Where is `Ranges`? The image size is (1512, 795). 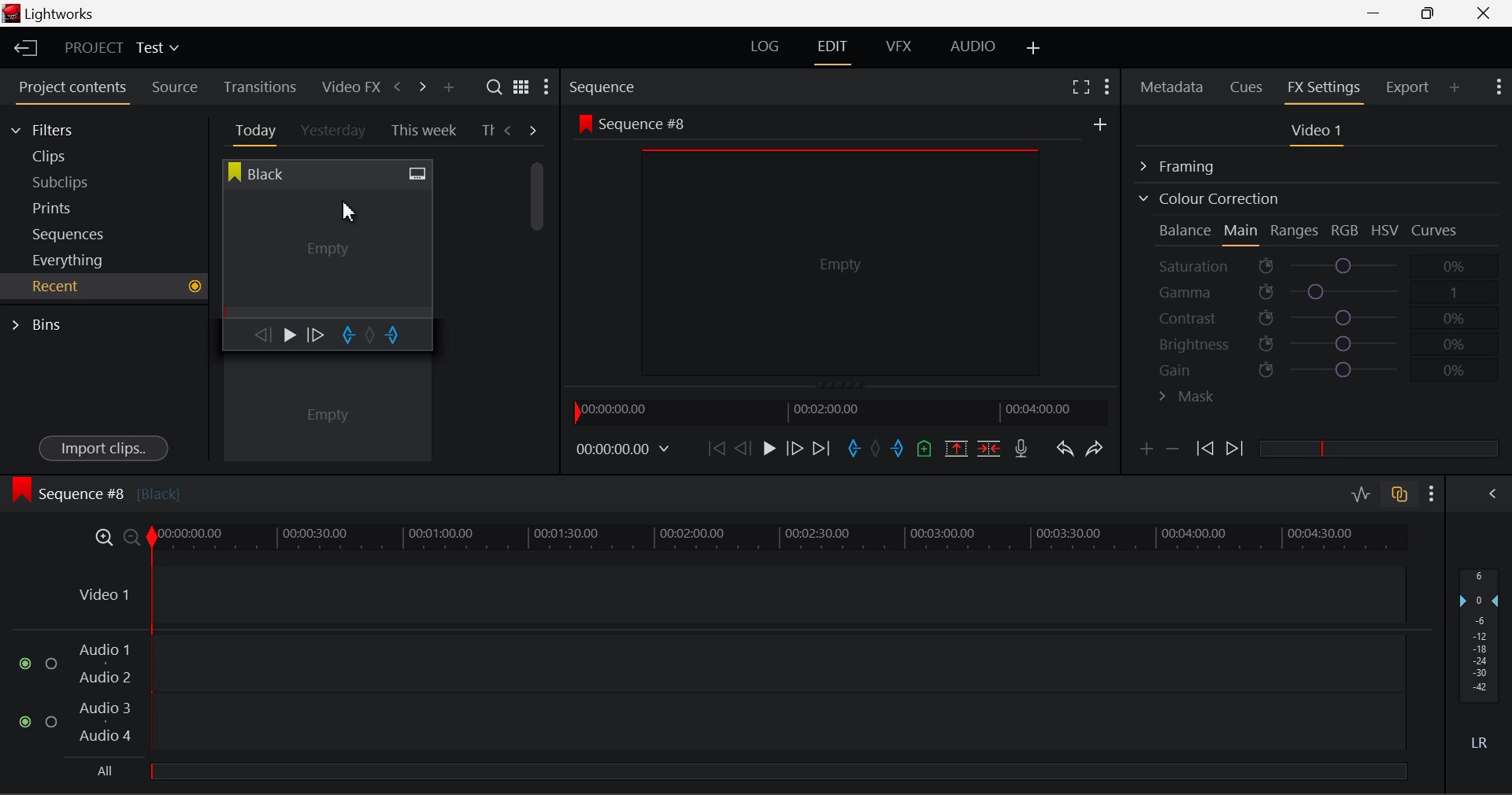
Ranges is located at coordinates (1295, 232).